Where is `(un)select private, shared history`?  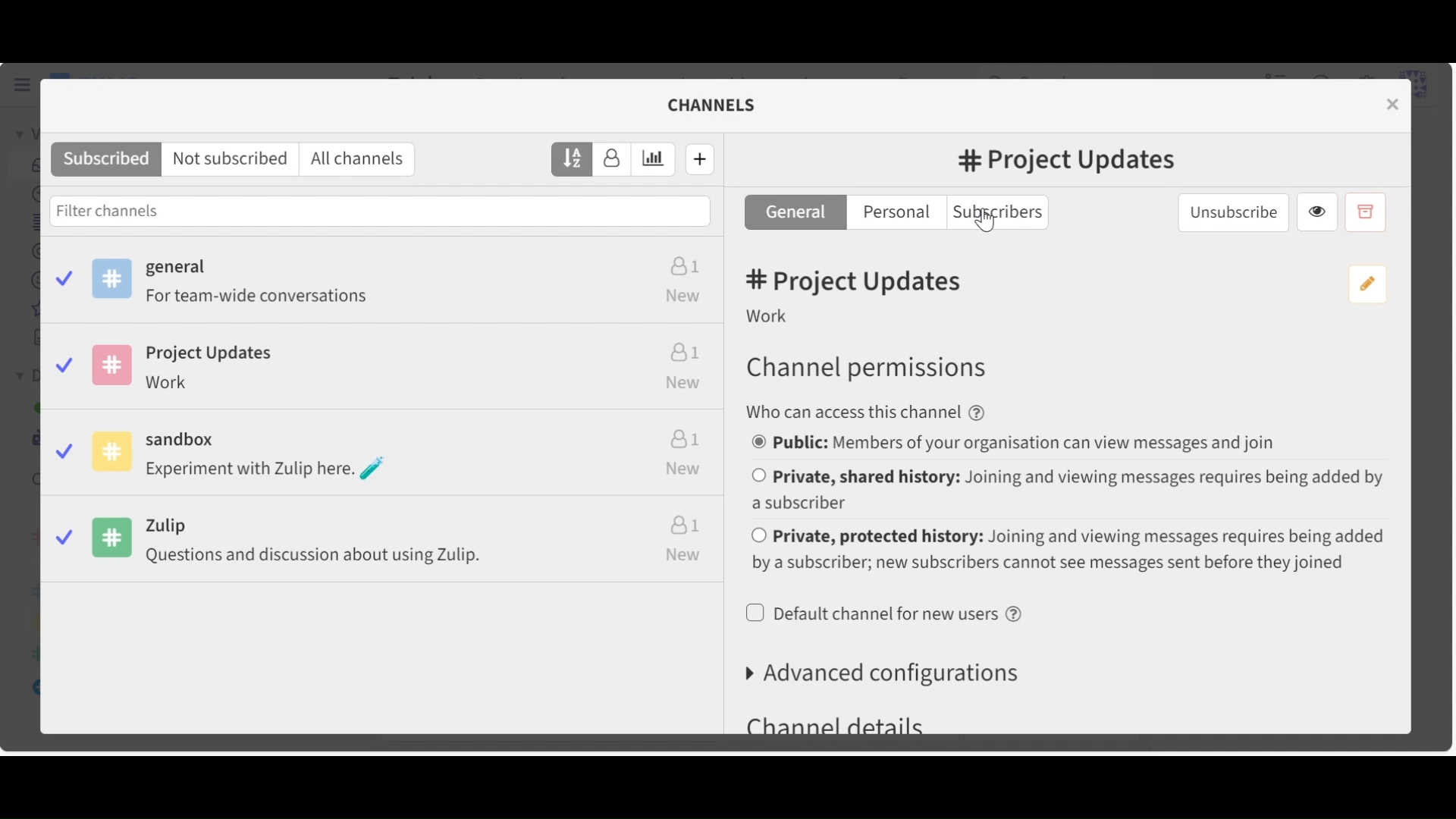 (un)select private, shared history is located at coordinates (1068, 488).